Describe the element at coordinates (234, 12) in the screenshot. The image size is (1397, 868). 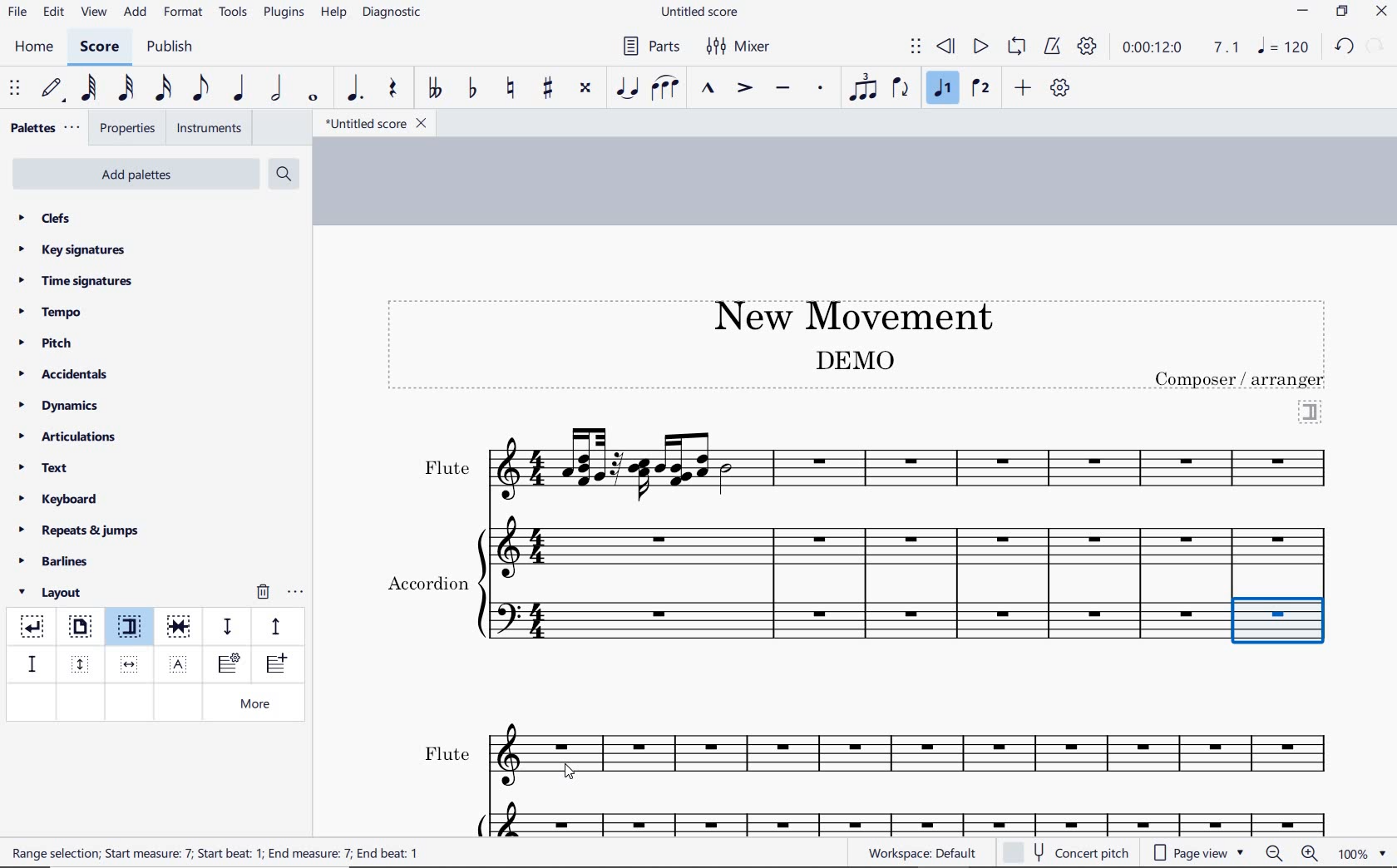
I see `tools` at that location.